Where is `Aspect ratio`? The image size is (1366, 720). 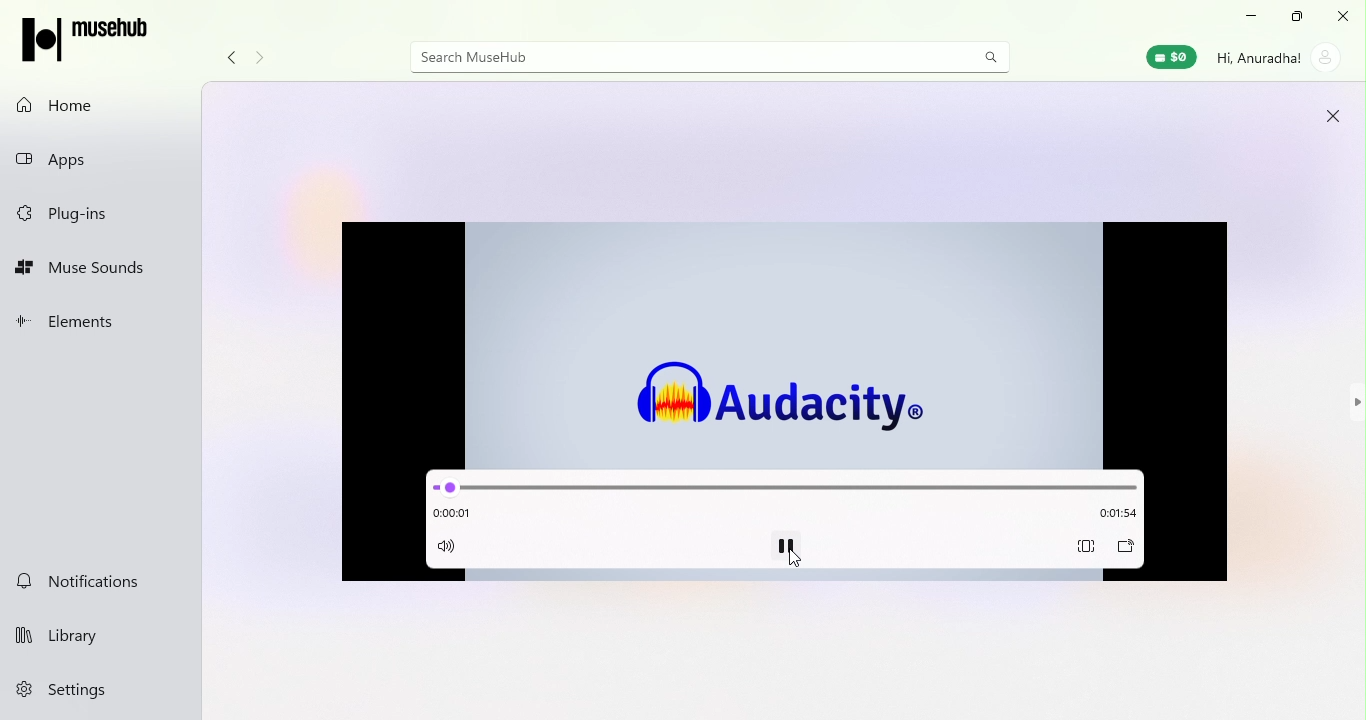 Aspect ratio is located at coordinates (1085, 546).